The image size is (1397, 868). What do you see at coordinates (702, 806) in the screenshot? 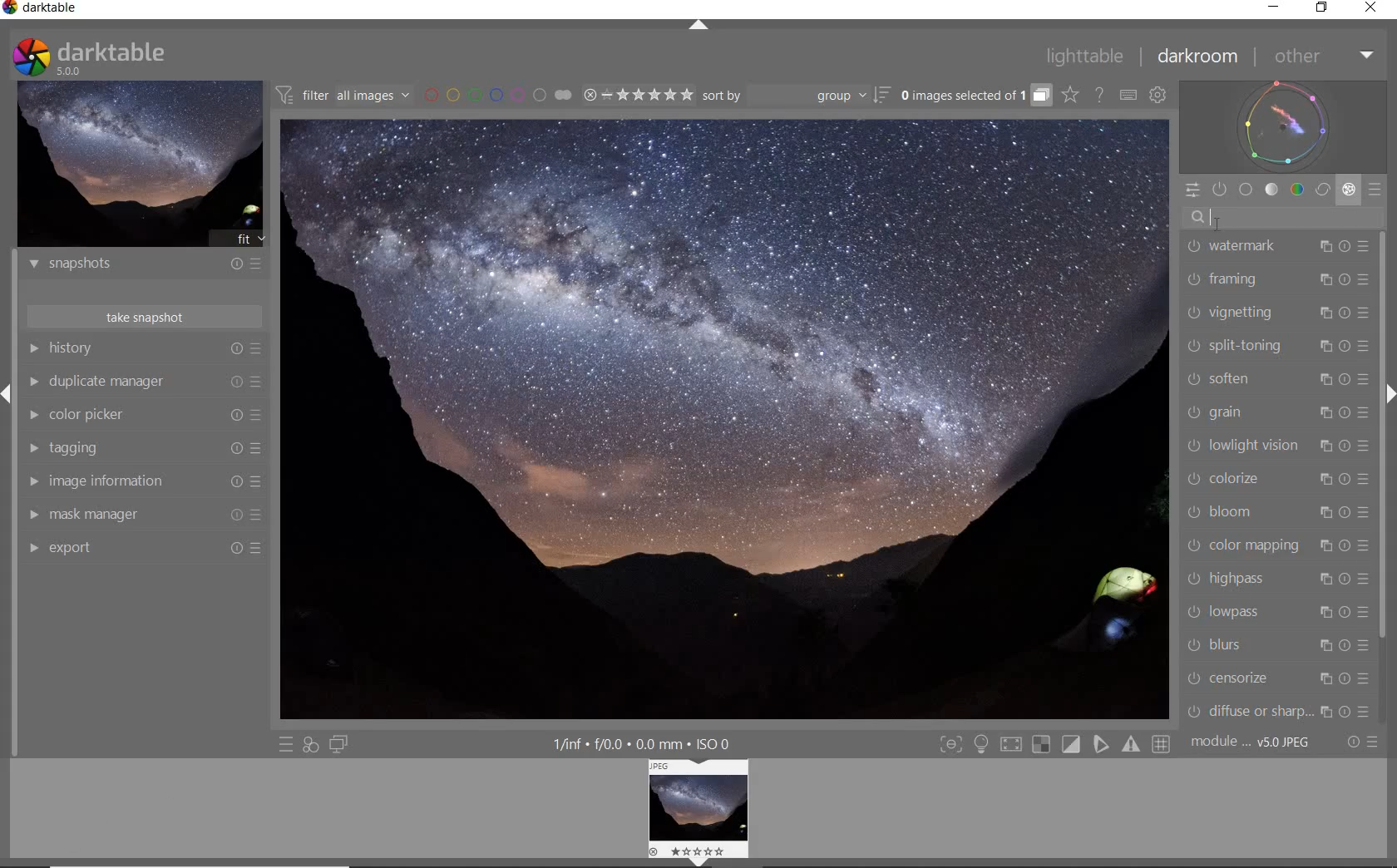
I see `IMAGE PREVIEW` at bounding box center [702, 806].